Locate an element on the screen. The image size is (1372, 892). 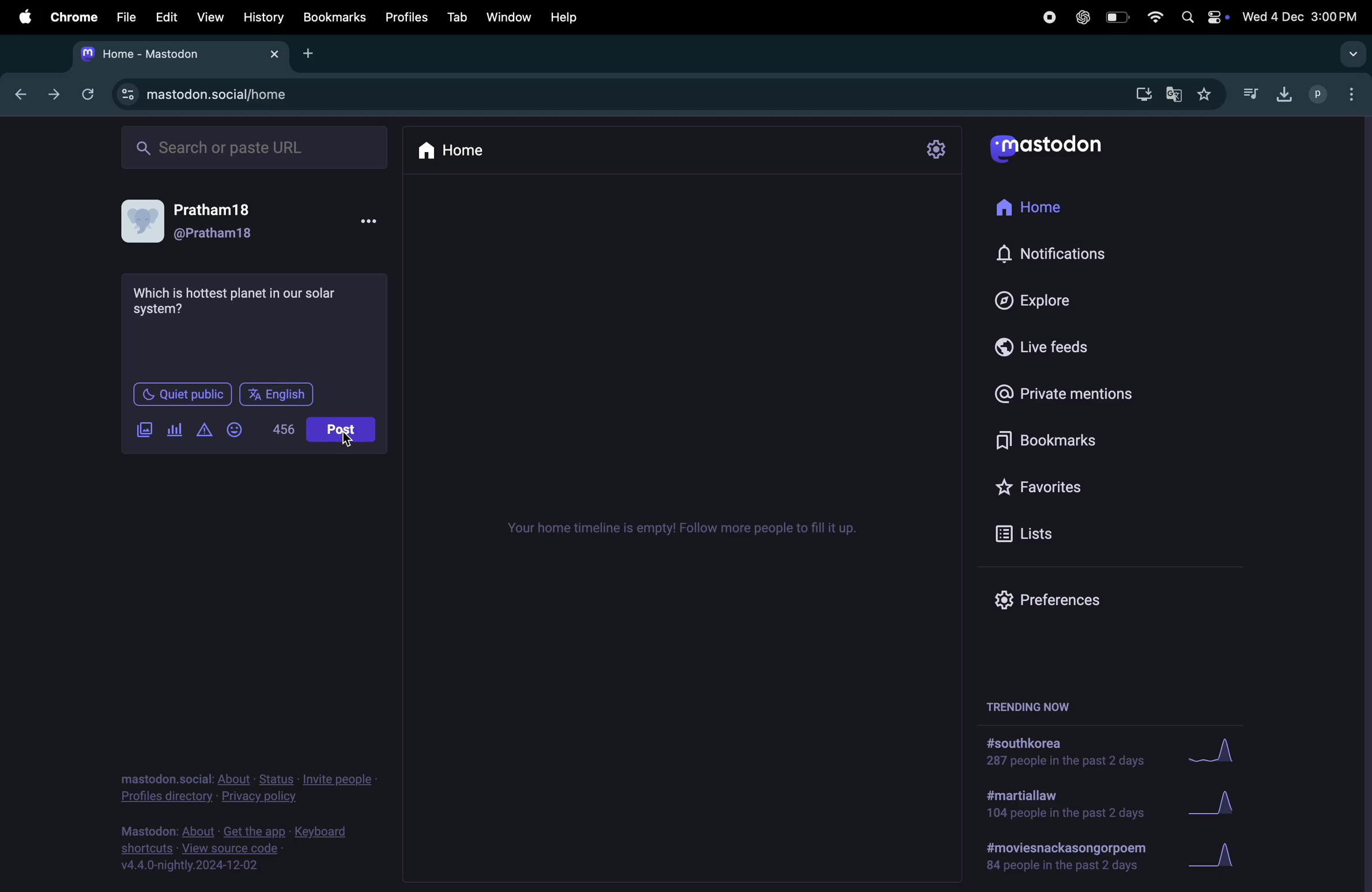
record is located at coordinates (1049, 18).